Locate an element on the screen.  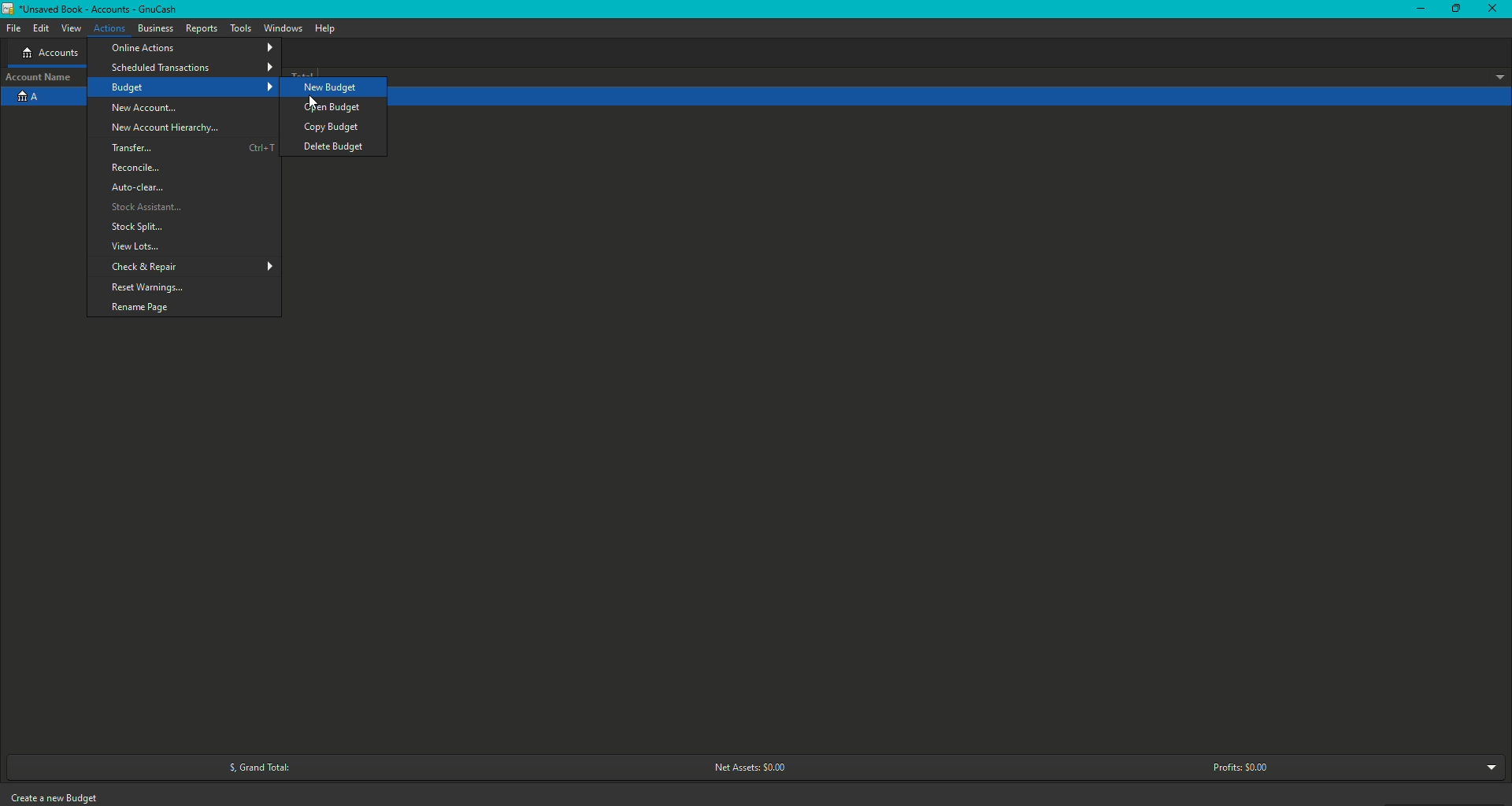
Reset Warnings is located at coordinates (149, 290).